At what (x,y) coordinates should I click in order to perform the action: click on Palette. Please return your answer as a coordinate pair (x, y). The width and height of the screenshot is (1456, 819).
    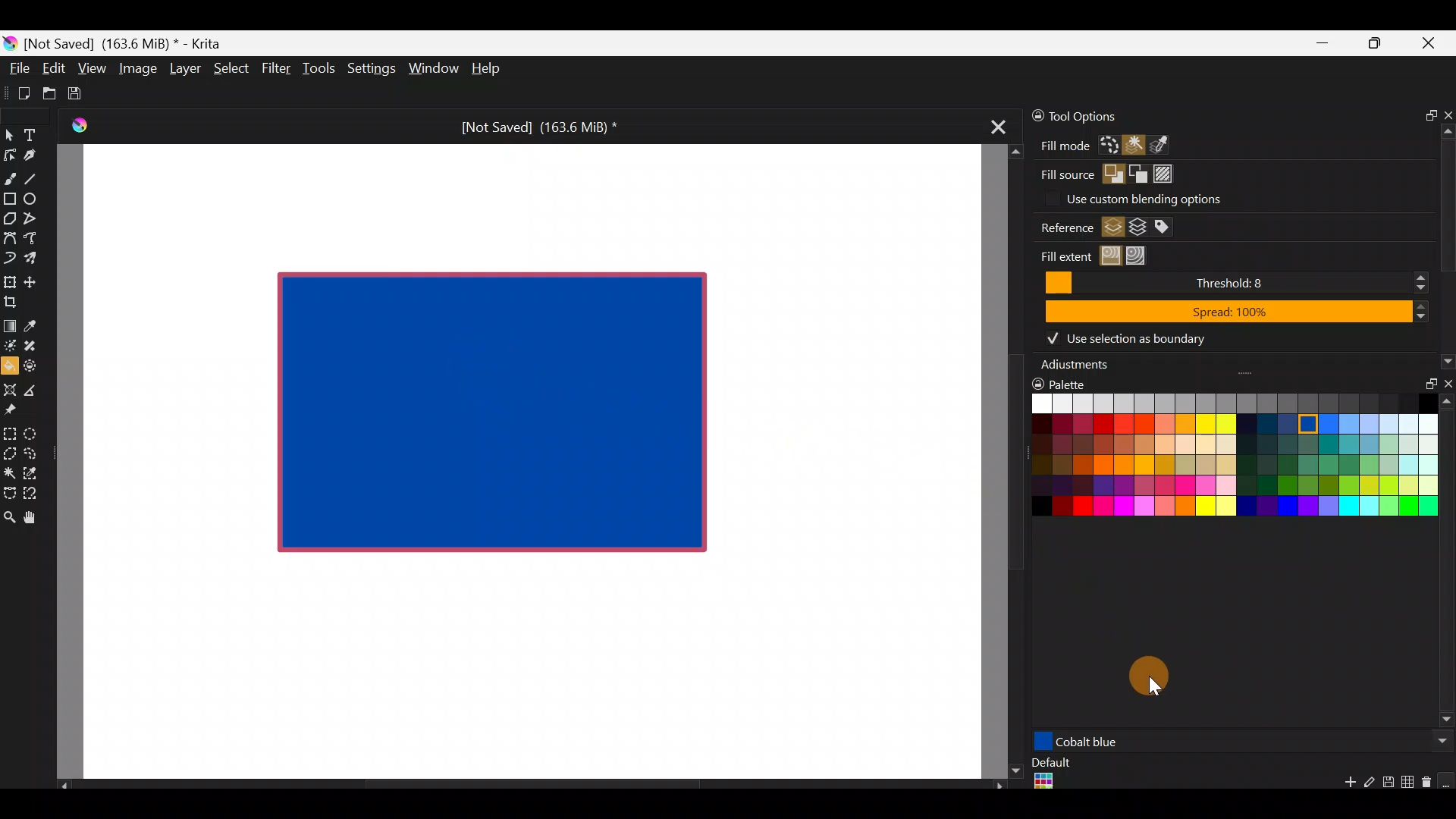
    Looking at the image, I should click on (1068, 381).